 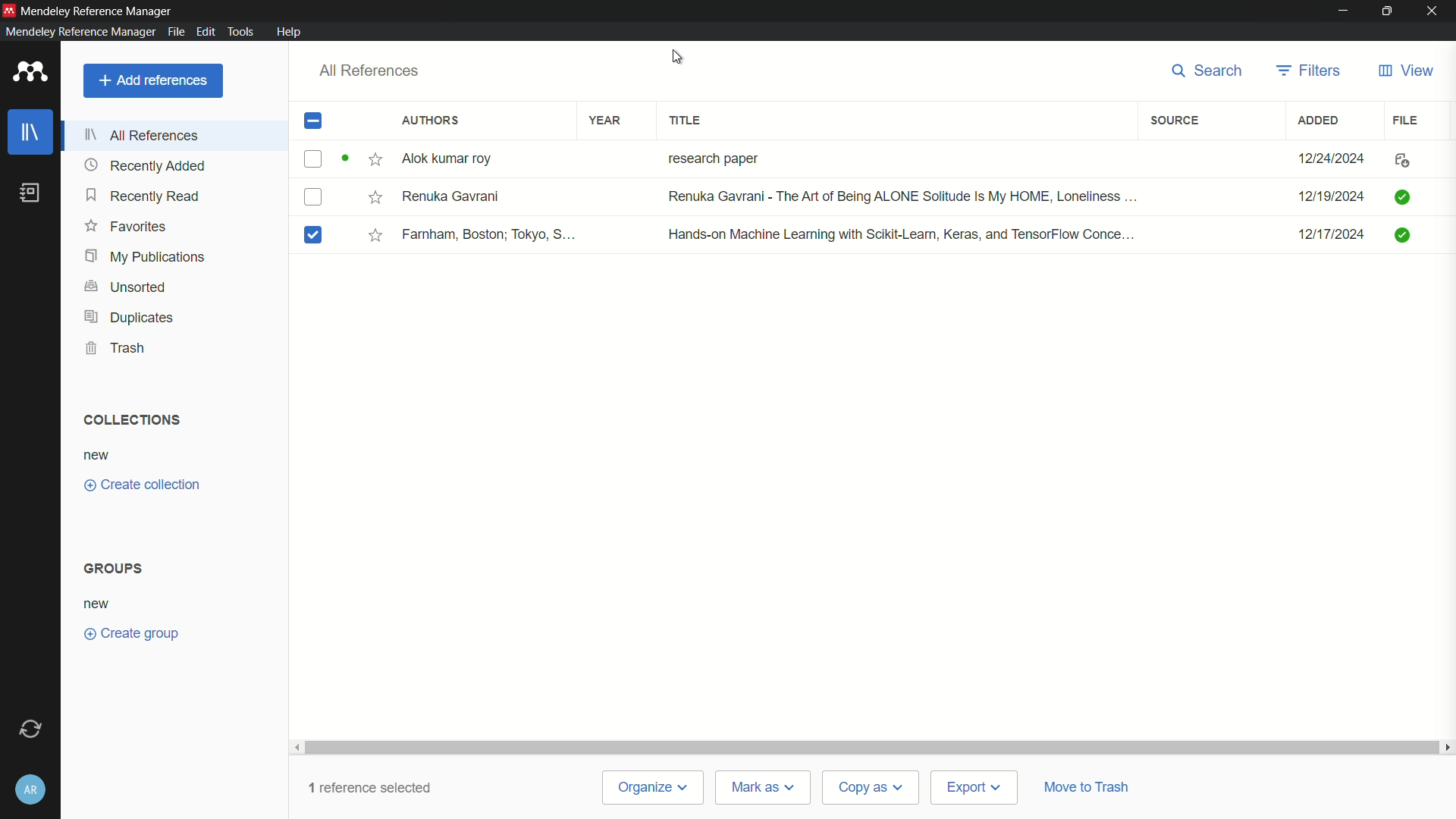 What do you see at coordinates (773, 196) in the screenshot?
I see `Renuka Gavrani Renuka Gavrani - The Art of Being ALONE Solitude Is My HOME, Loneliness ...` at bounding box center [773, 196].